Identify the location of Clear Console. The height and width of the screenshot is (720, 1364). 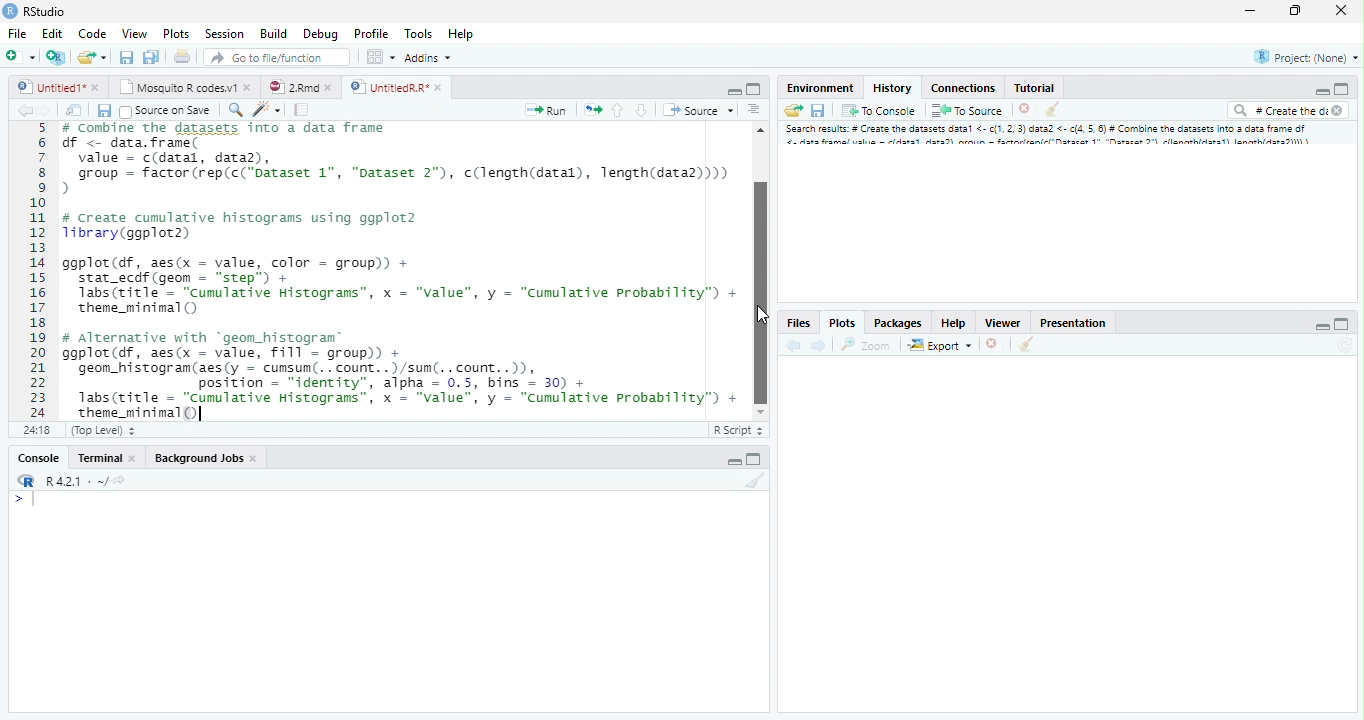
(760, 483).